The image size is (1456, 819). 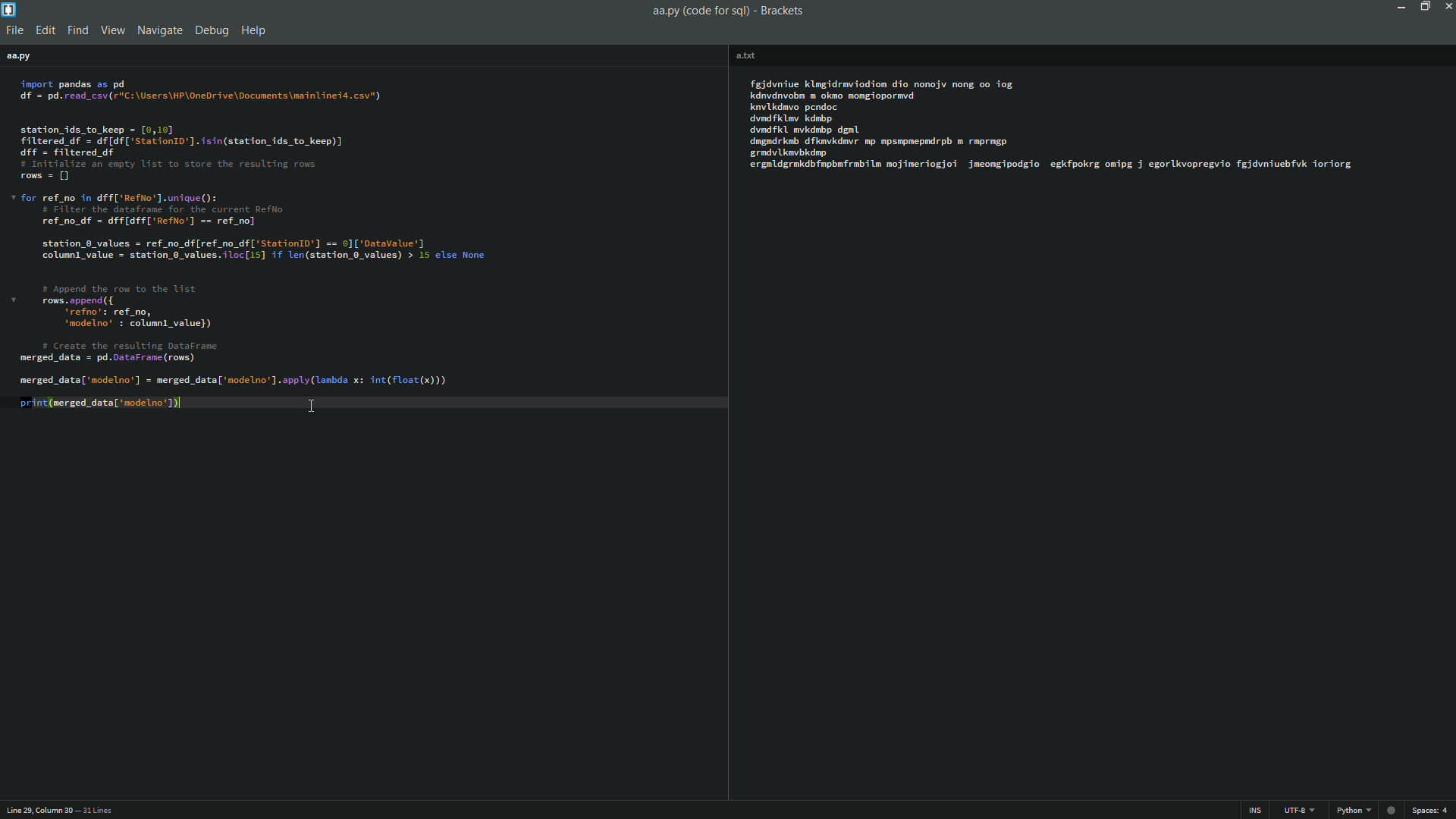 I want to click on navigate menu, so click(x=161, y=31).